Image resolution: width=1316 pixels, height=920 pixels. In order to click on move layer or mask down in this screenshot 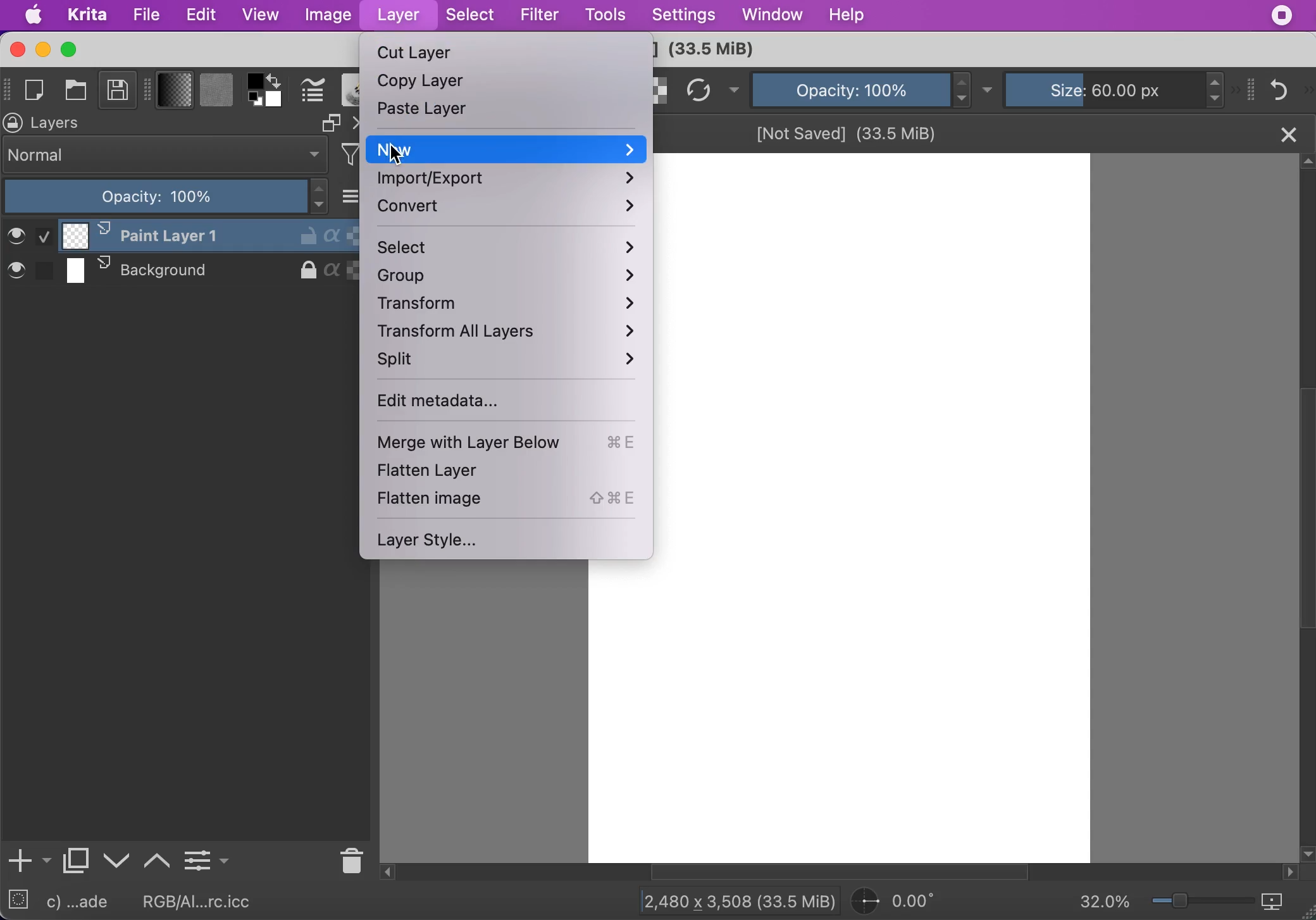, I will do `click(117, 861)`.